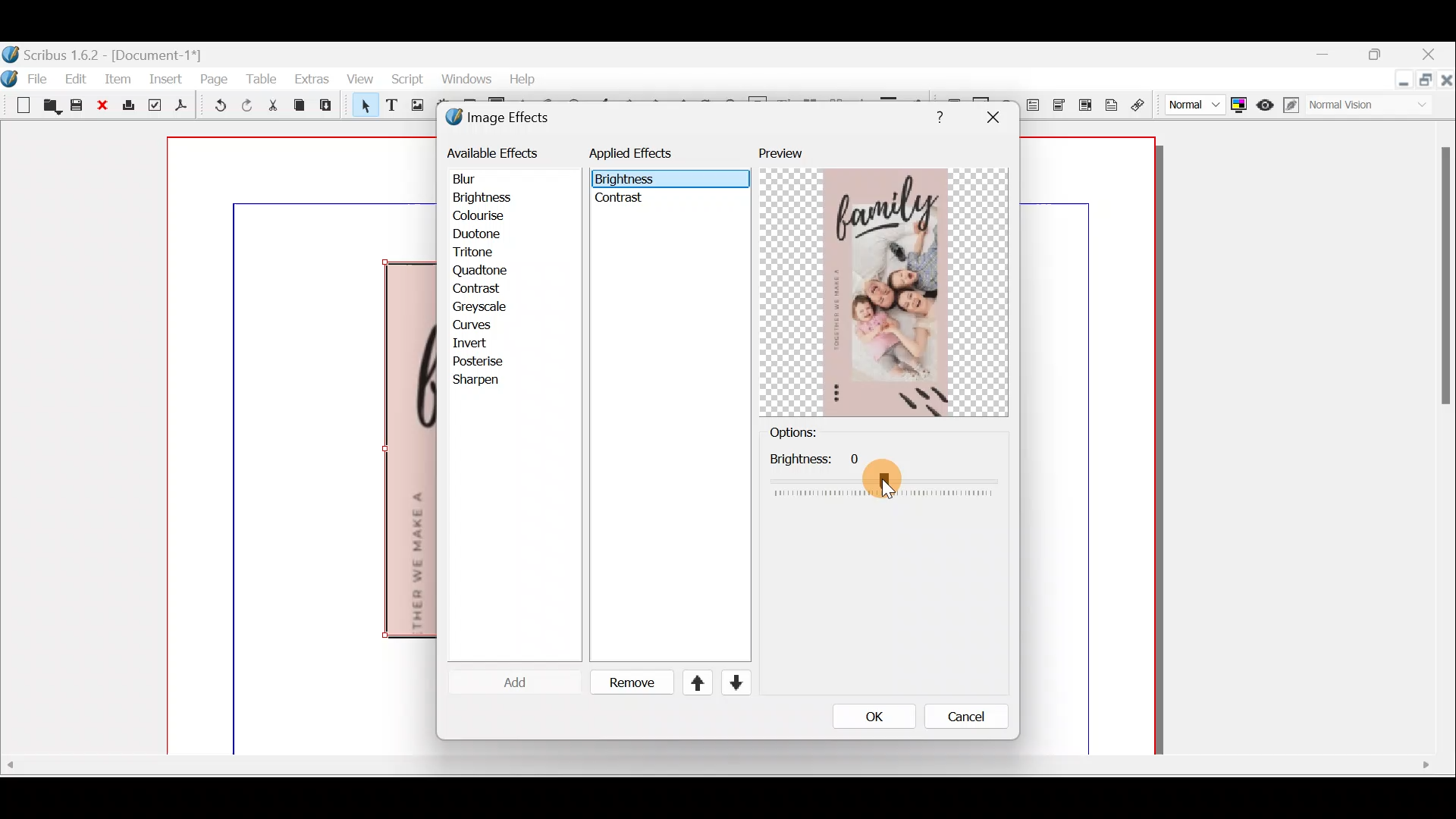 The width and height of the screenshot is (1456, 819). What do you see at coordinates (480, 254) in the screenshot?
I see `Tritone` at bounding box center [480, 254].